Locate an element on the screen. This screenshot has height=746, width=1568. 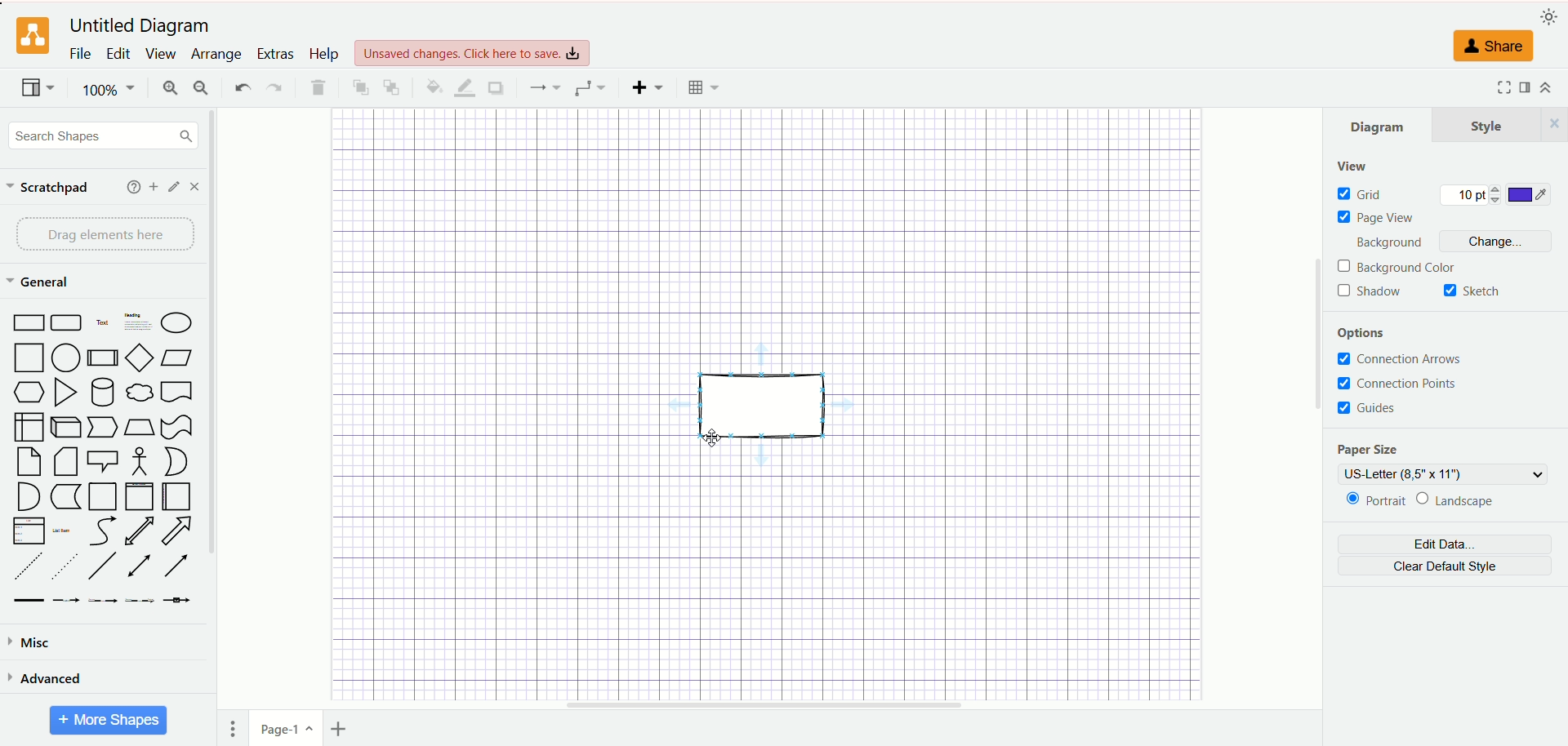
format is located at coordinates (1526, 90).